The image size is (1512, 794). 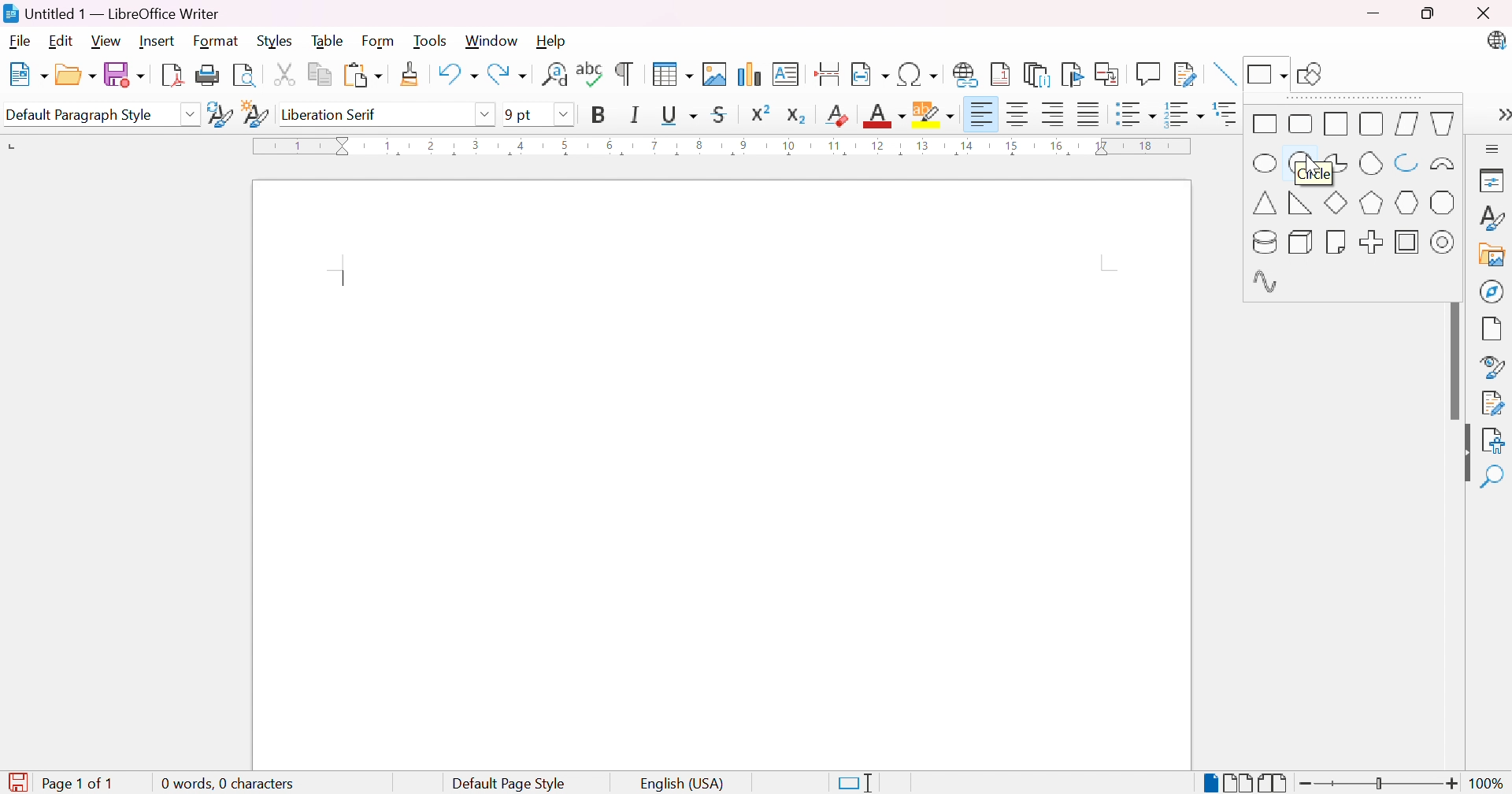 What do you see at coordinates (1073, 74) in the screenshot?
I see `Insert bookmark` at bounding box center [1073, 74].